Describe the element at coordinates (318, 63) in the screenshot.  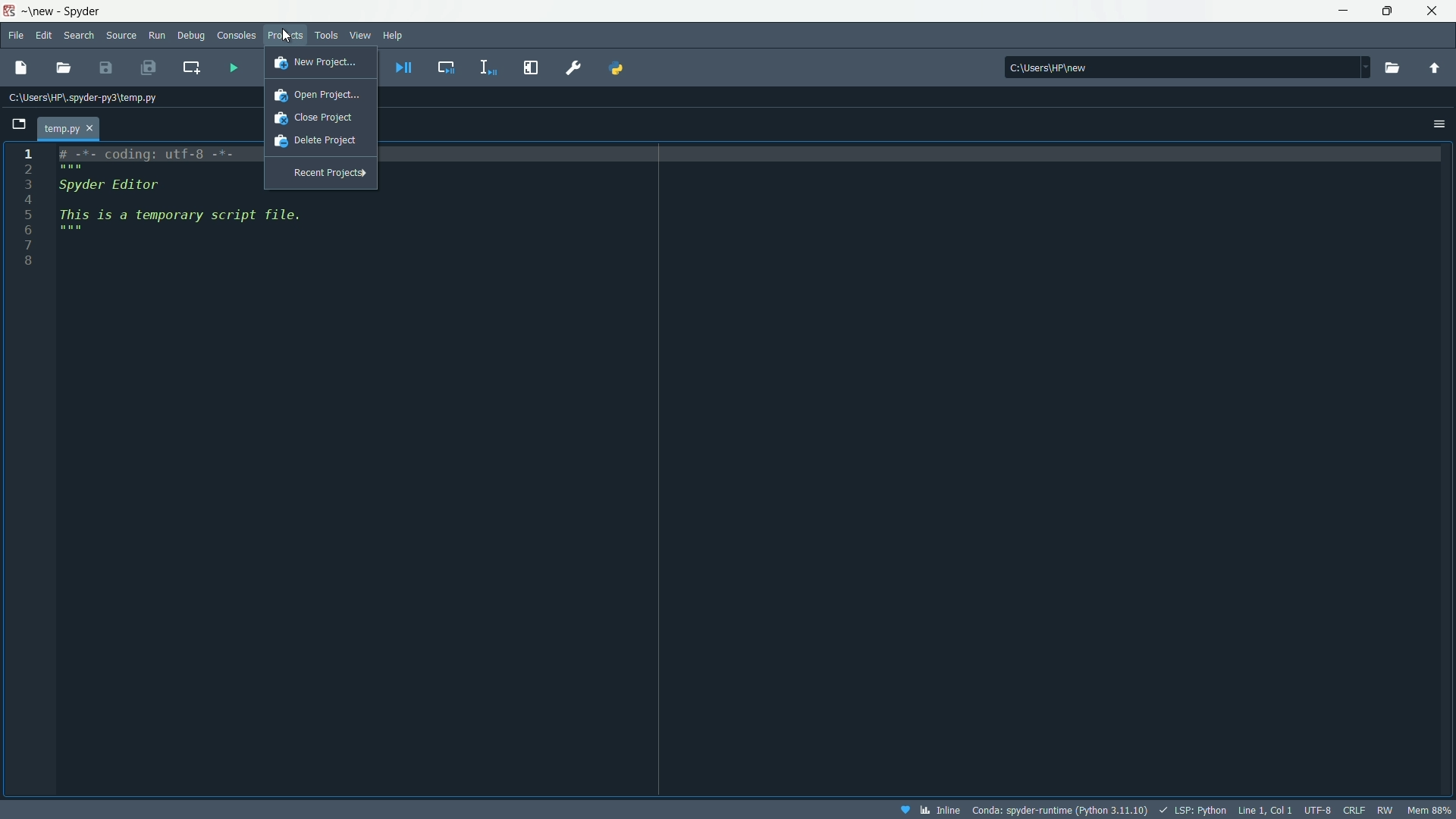
I see `New Project` at that location.